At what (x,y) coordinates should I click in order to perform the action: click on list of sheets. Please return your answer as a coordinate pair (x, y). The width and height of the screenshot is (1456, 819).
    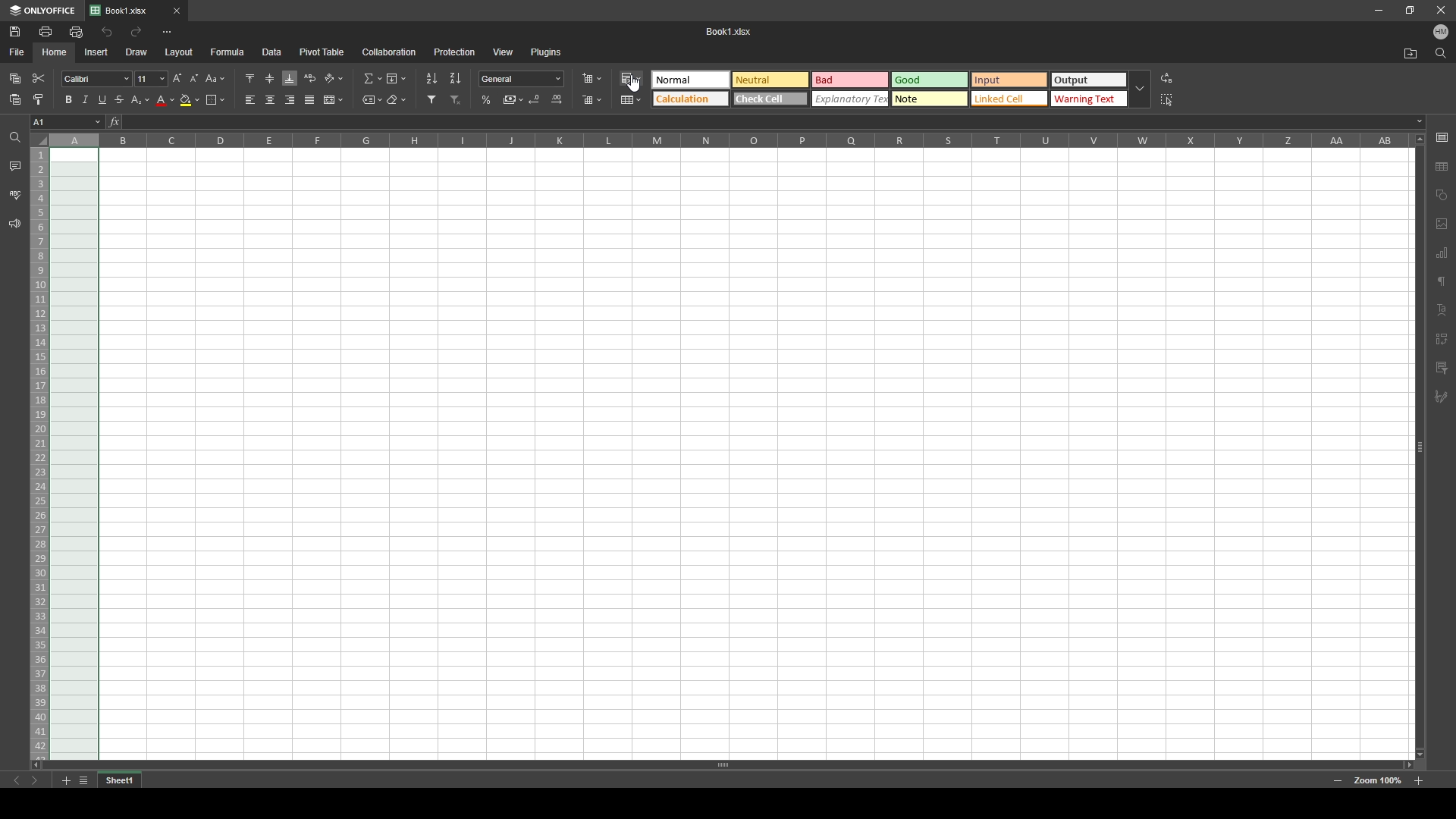
    Looking at the image, I should click on (83, 781).